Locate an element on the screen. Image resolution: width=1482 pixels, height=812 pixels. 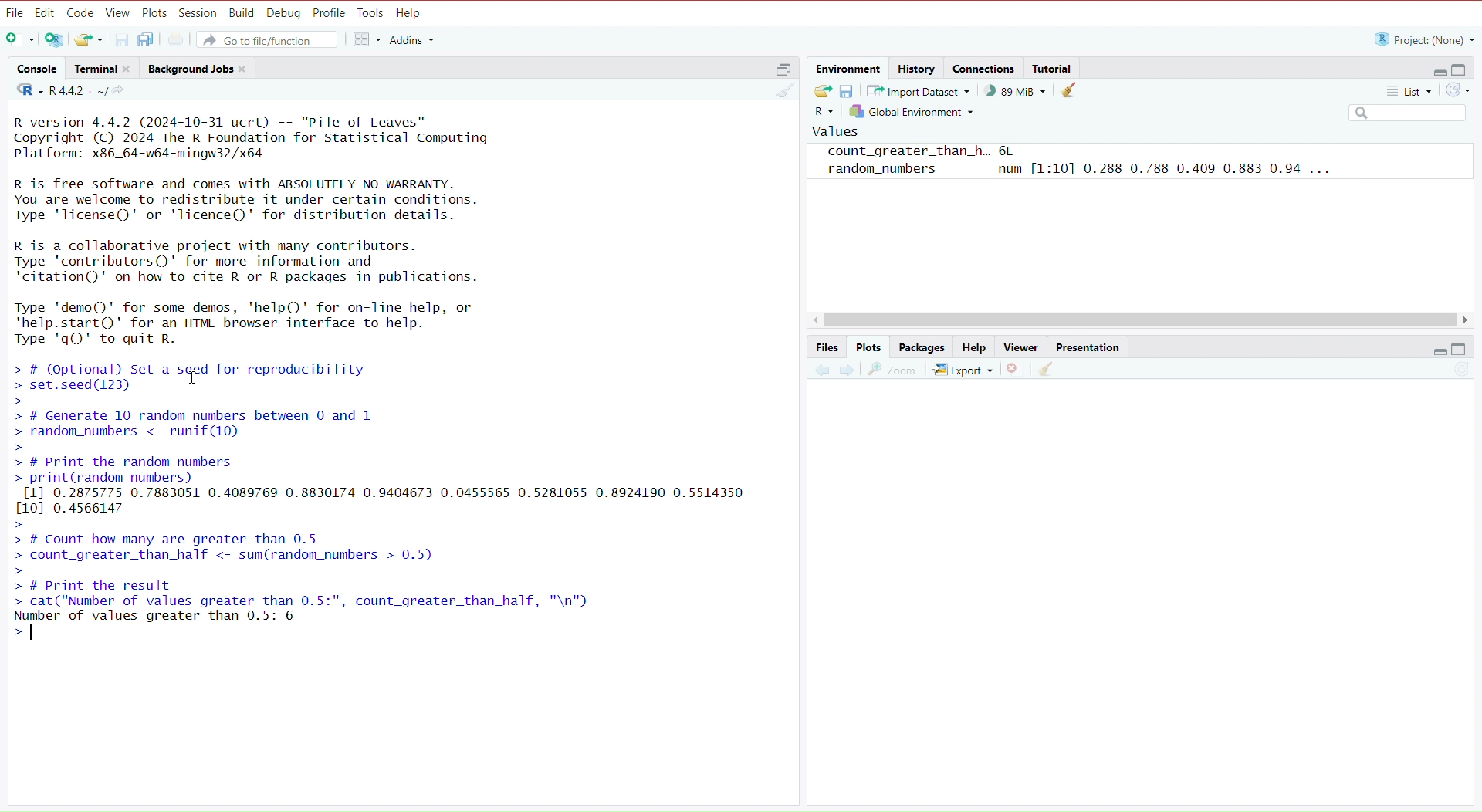
List is located at coordinates (1409, 89).